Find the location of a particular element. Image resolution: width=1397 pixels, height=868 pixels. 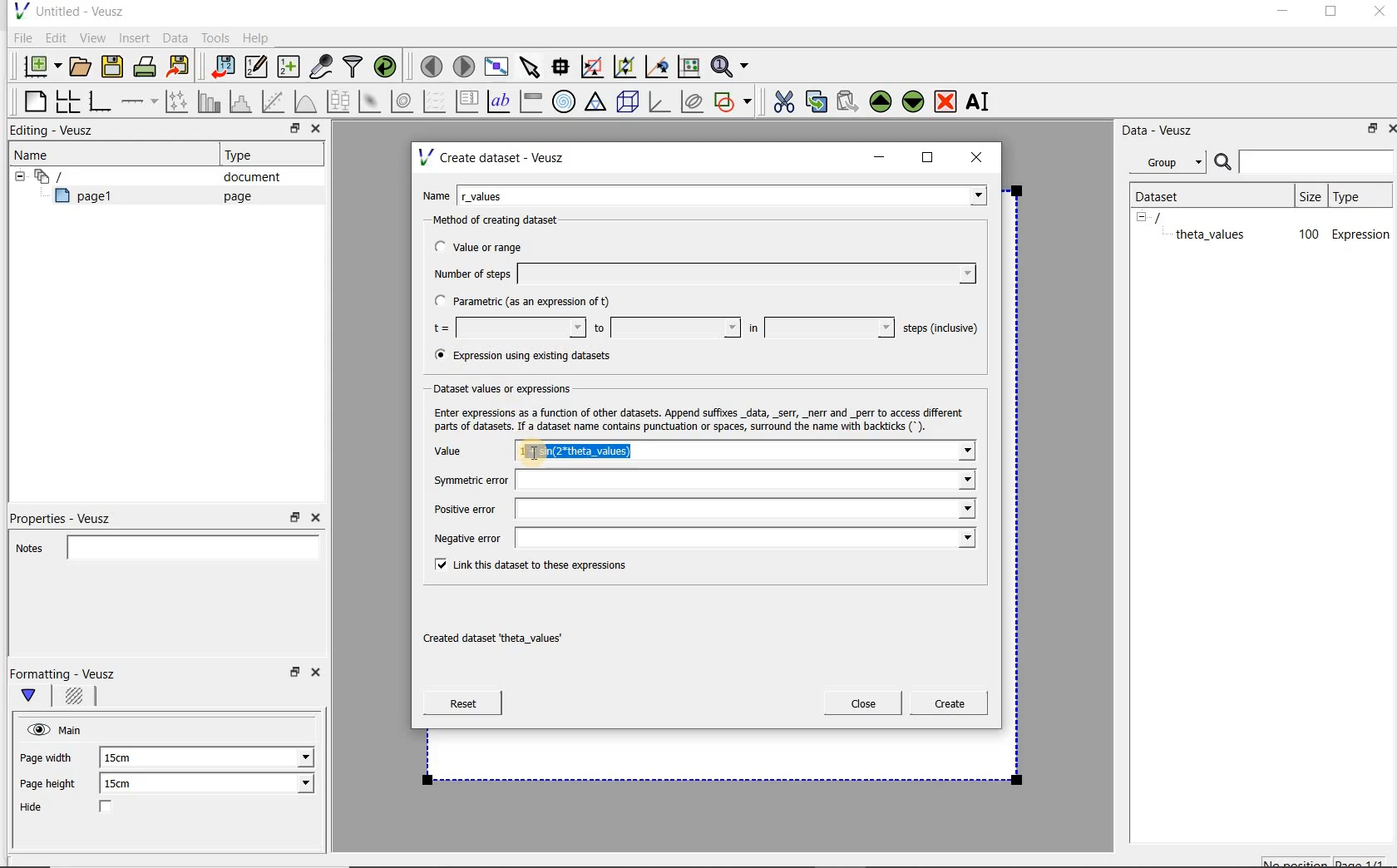

page1/1 is located at coordinates (1366, 861).